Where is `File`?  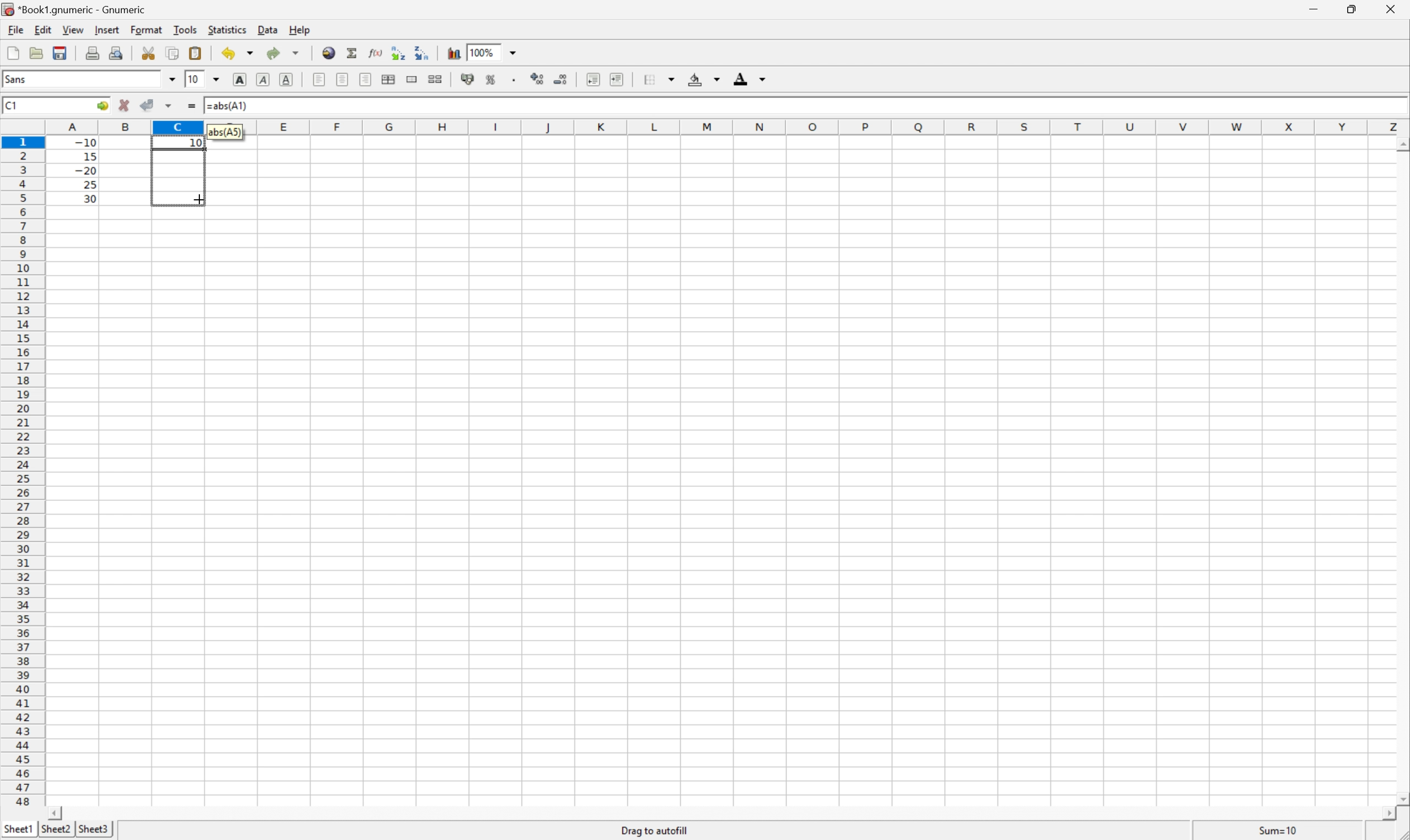 File is located at coordinates (14, 30).